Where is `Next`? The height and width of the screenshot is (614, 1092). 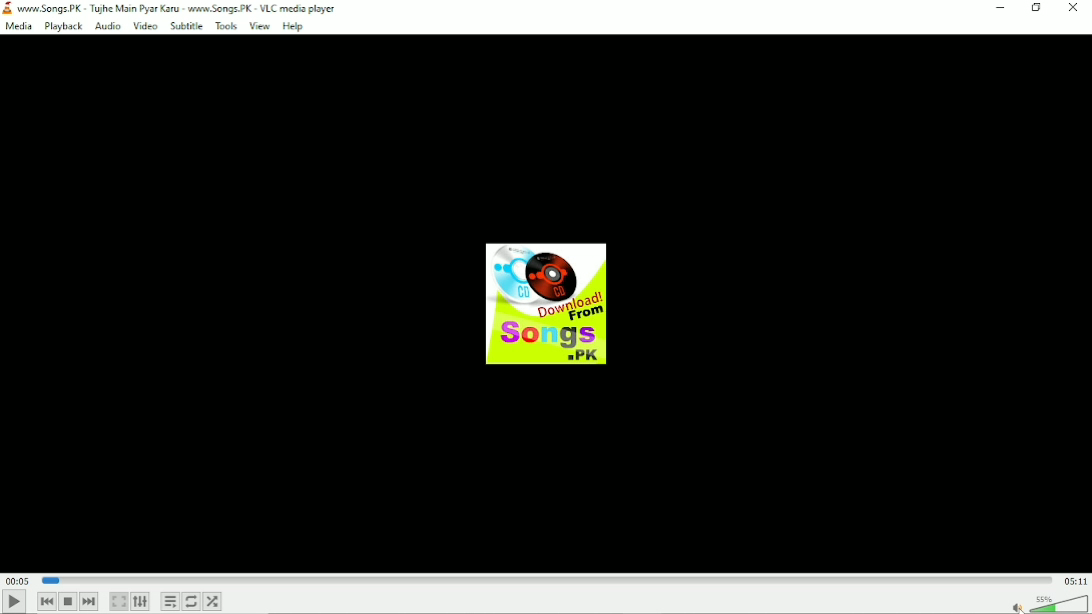 Next is located at coordinates (91, 601).